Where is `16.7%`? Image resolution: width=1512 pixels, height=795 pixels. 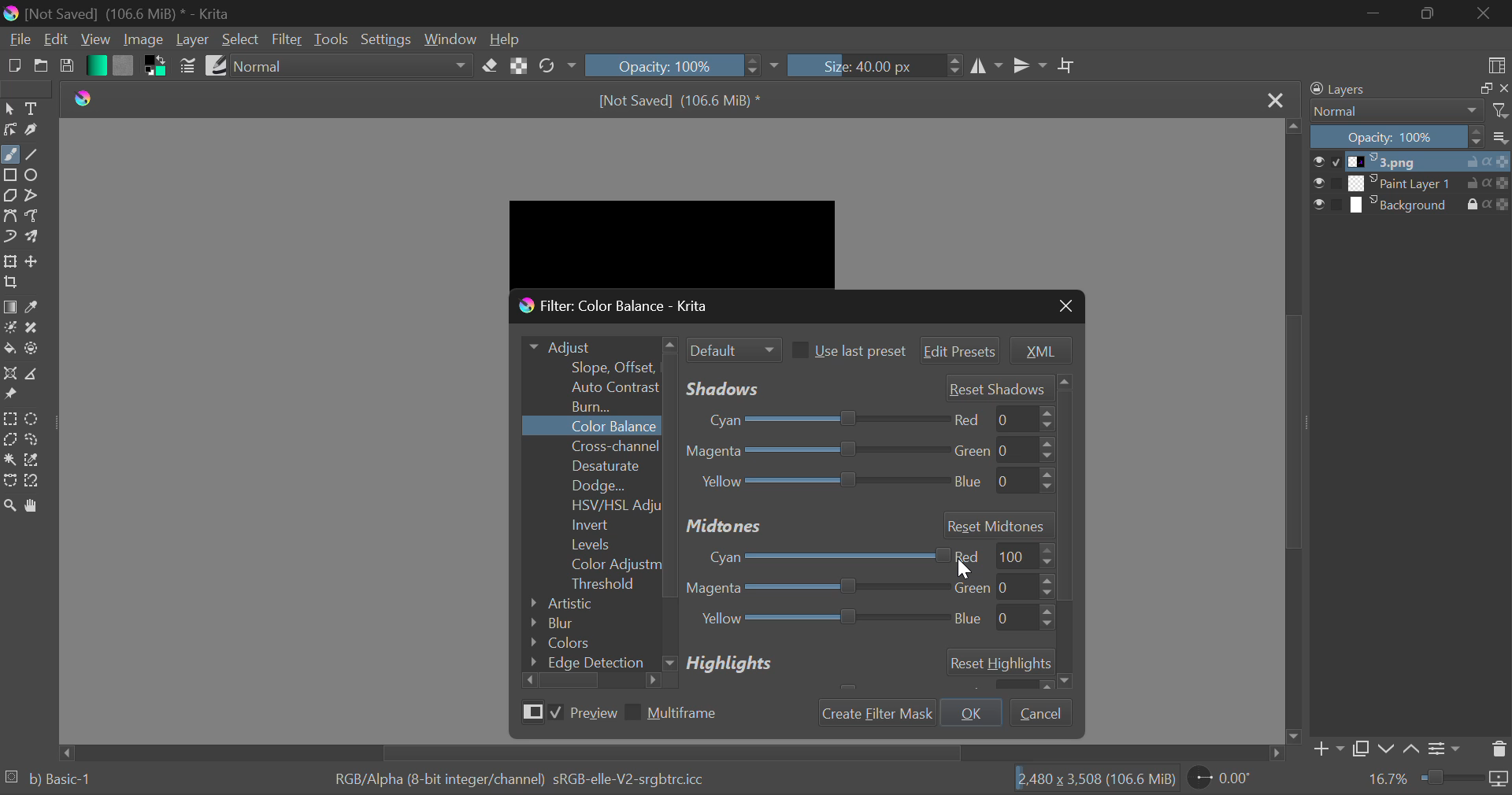 16.7% is located at coordinates (1383, 779).